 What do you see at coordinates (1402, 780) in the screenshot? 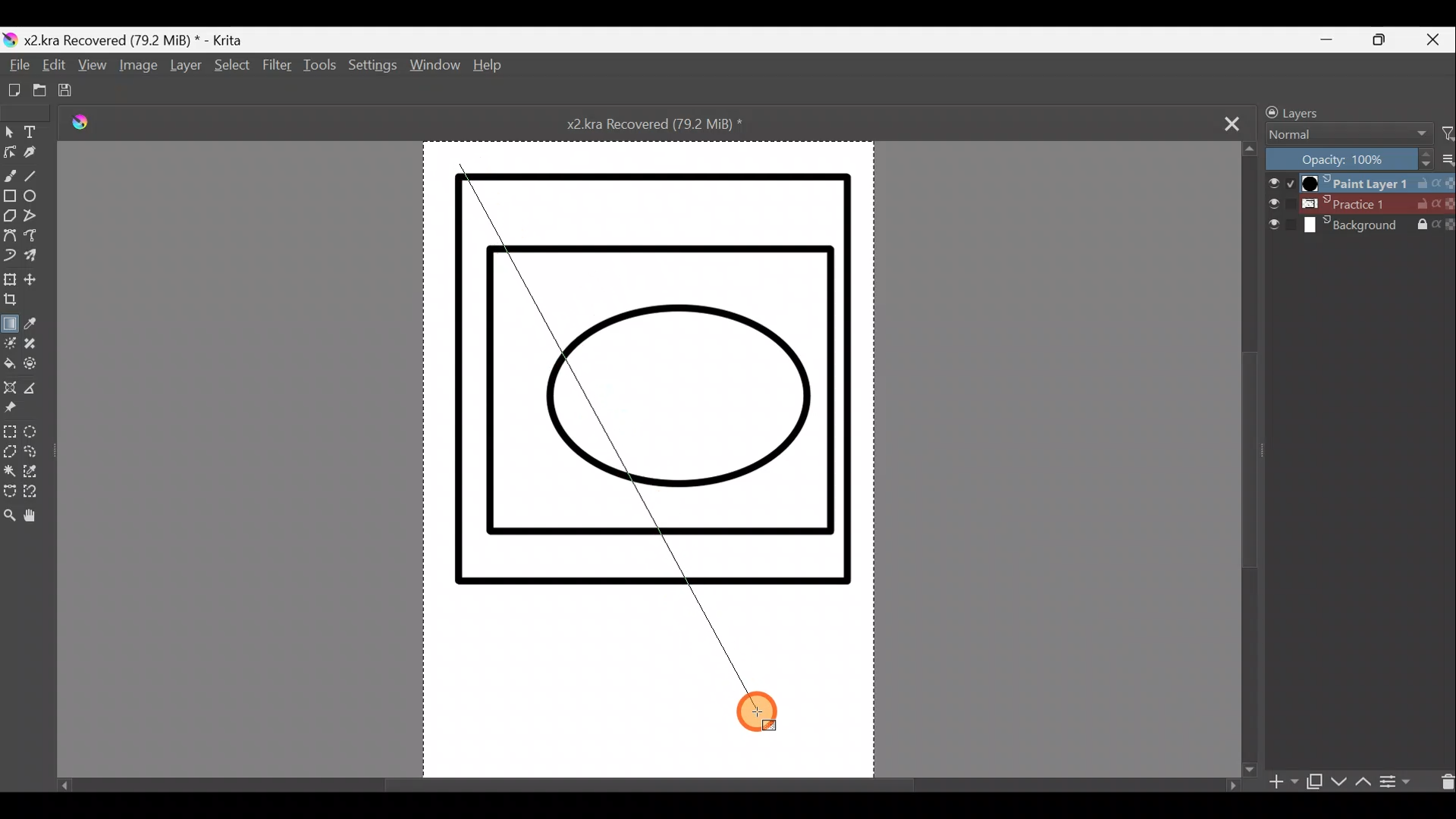
I see `View/change layer properties` at bounding box center [1402, 780].